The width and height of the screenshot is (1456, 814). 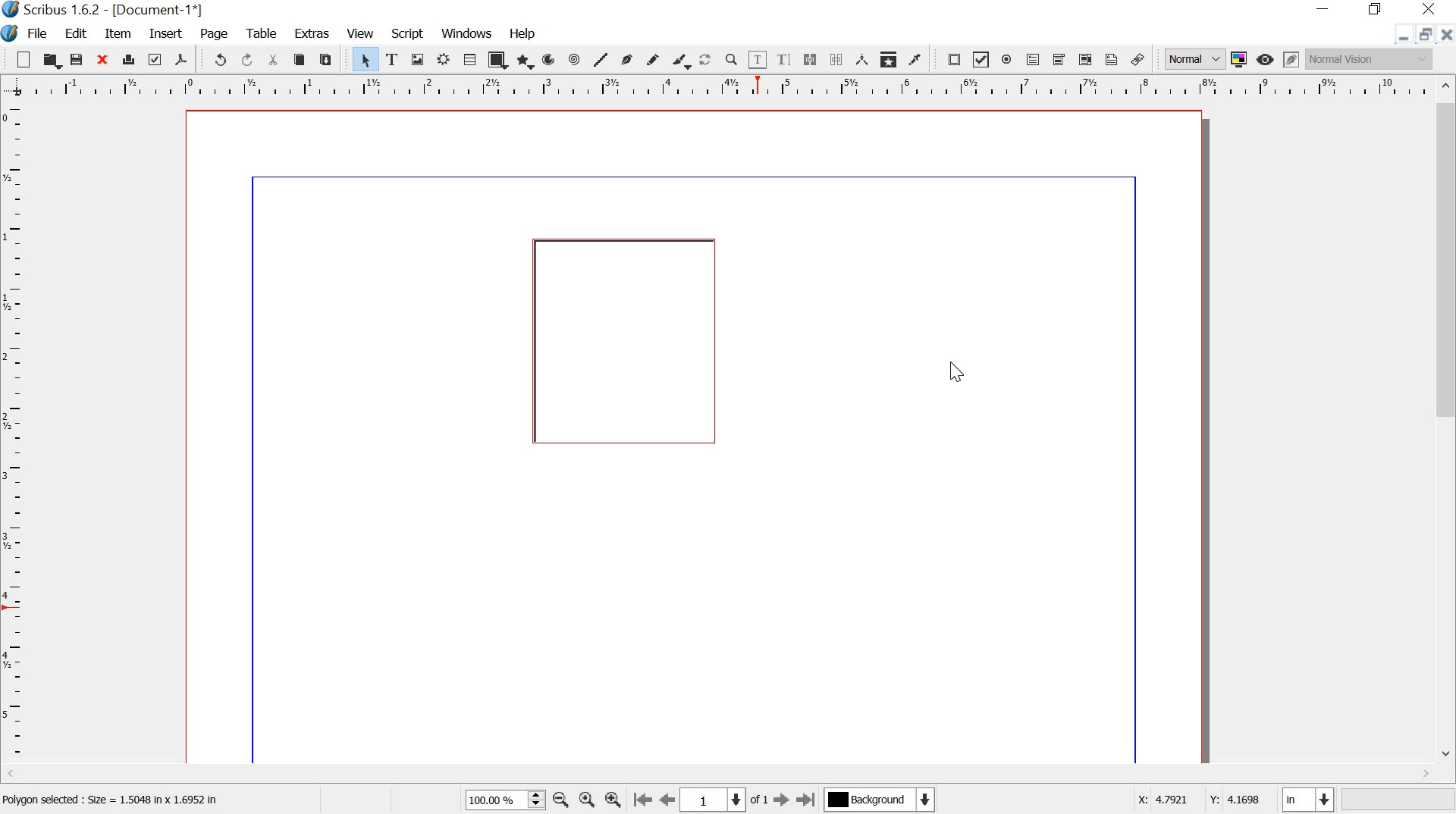 What do you see at coordinates (630, 59) in the screenshot?
I see `bezier curve` at bounding box center [630, 59].